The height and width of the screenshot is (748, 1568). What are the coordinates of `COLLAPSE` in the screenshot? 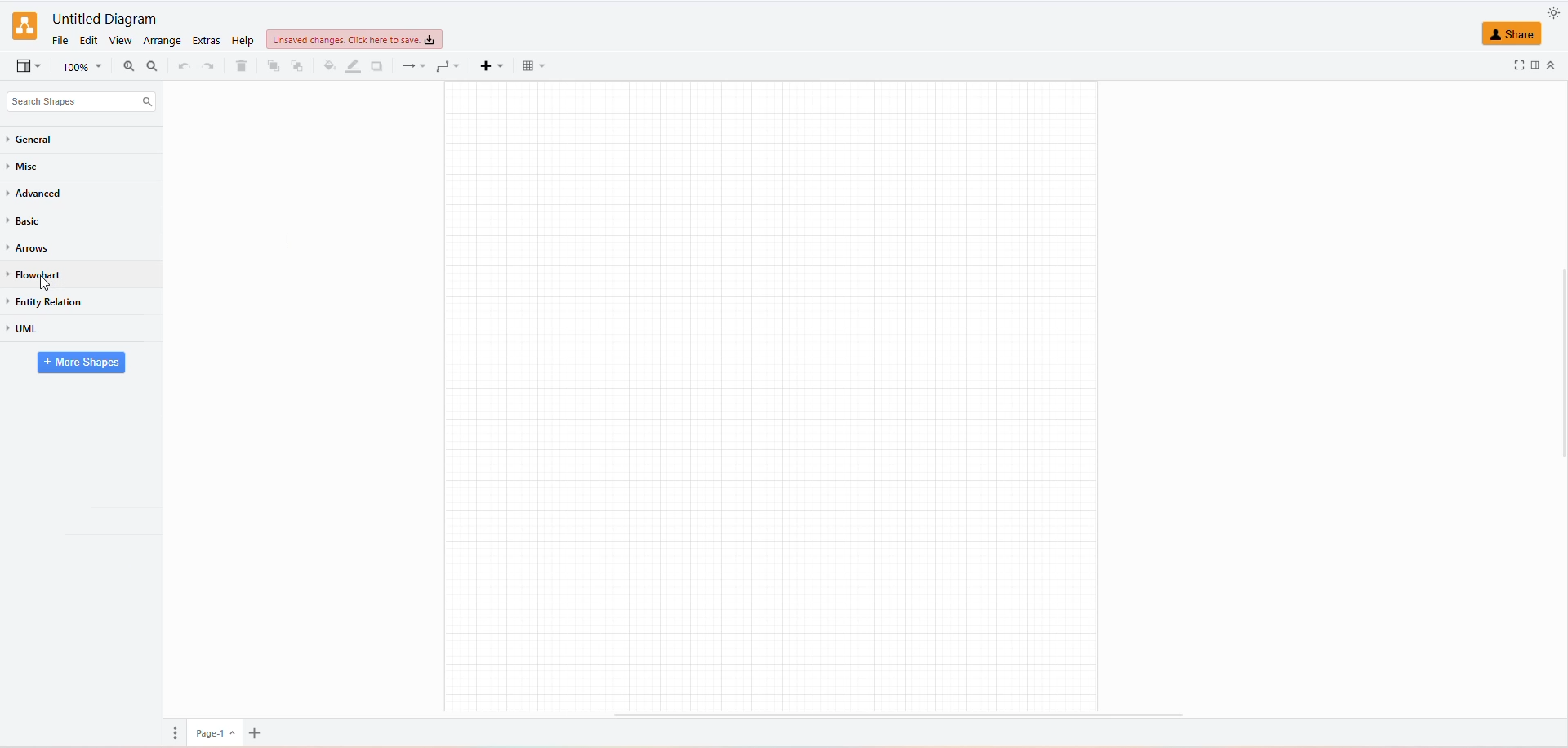 It's located at (1550, 63).